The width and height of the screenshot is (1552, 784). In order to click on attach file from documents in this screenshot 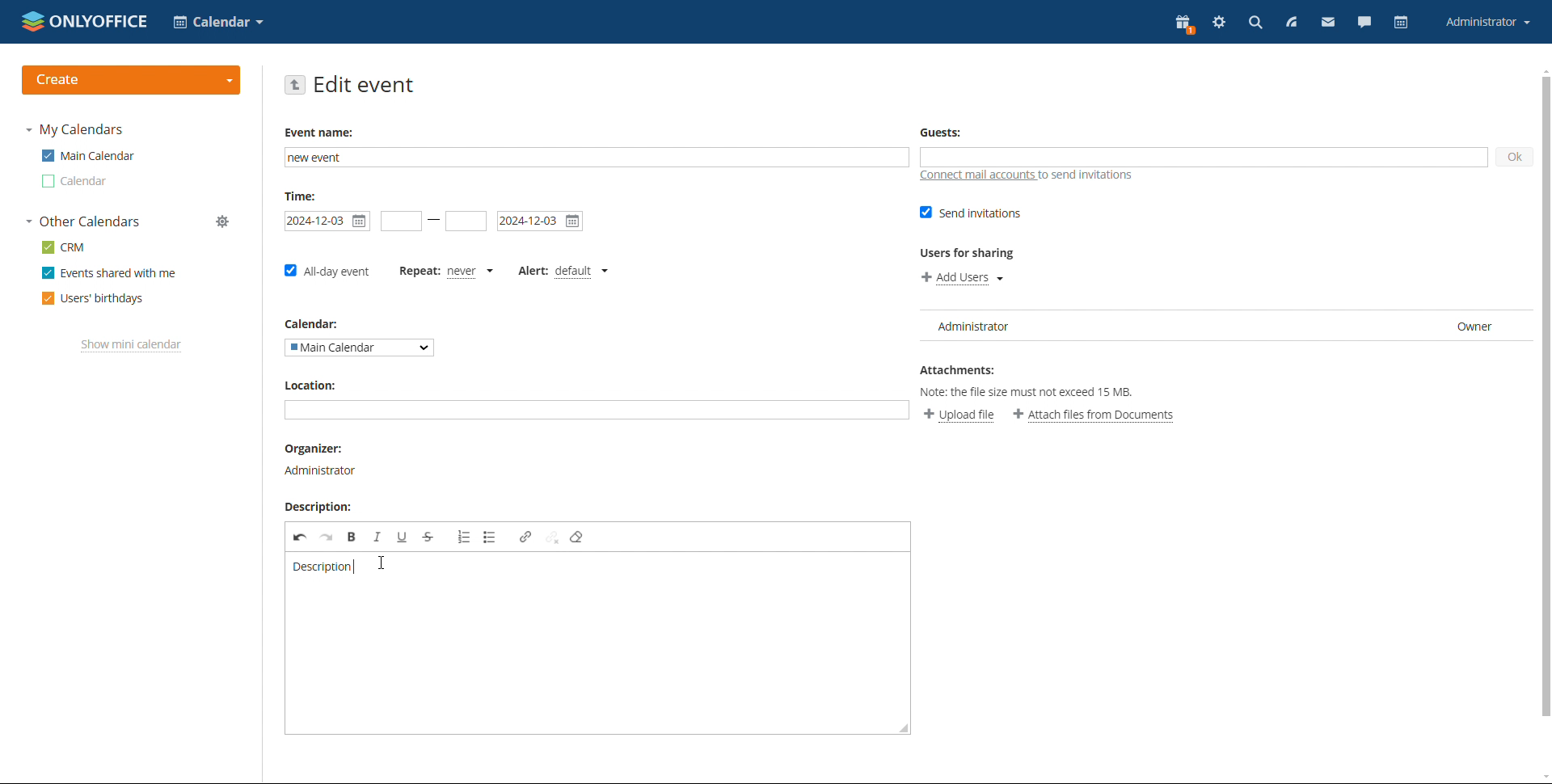, I will do `click(1094, 415)`.